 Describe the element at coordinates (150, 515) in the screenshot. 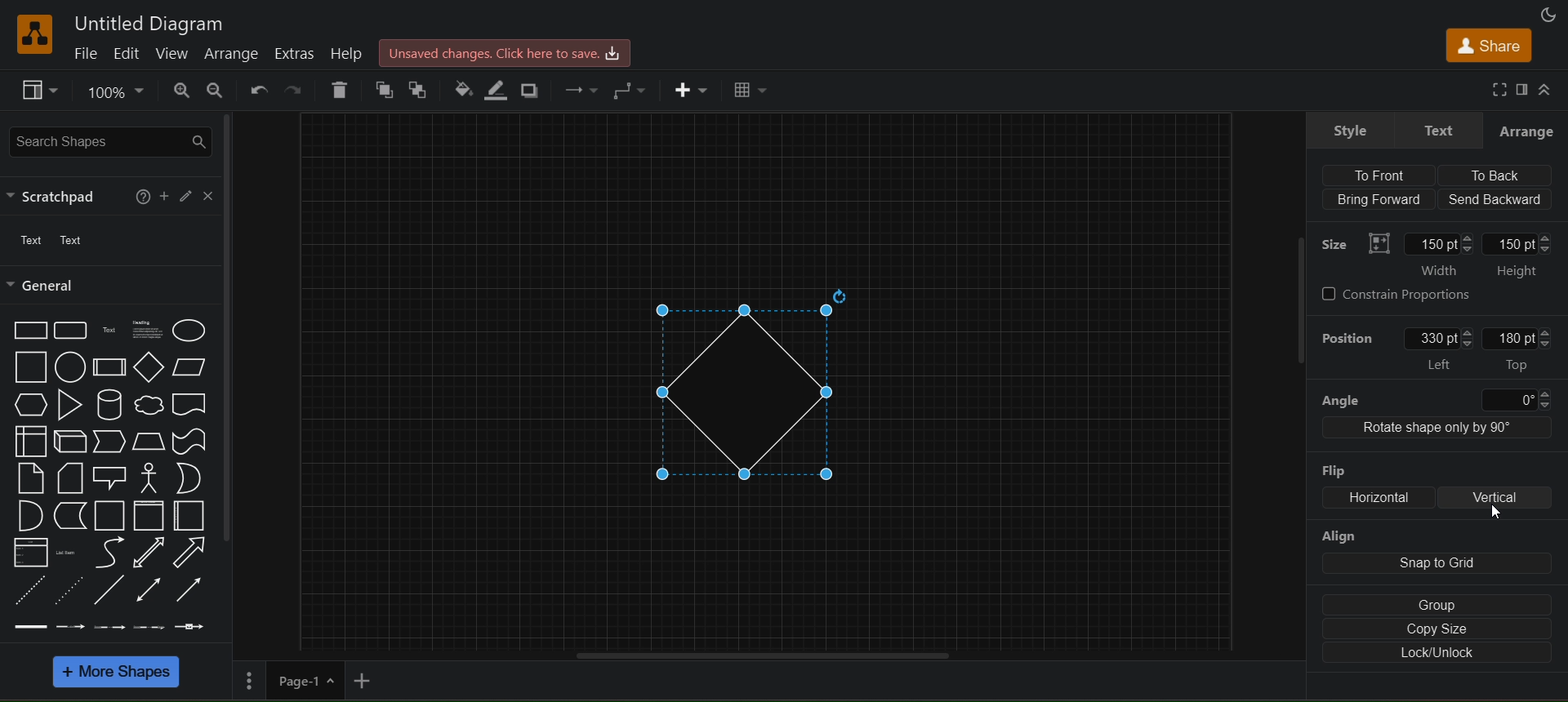

I see `vertical container` at that location.